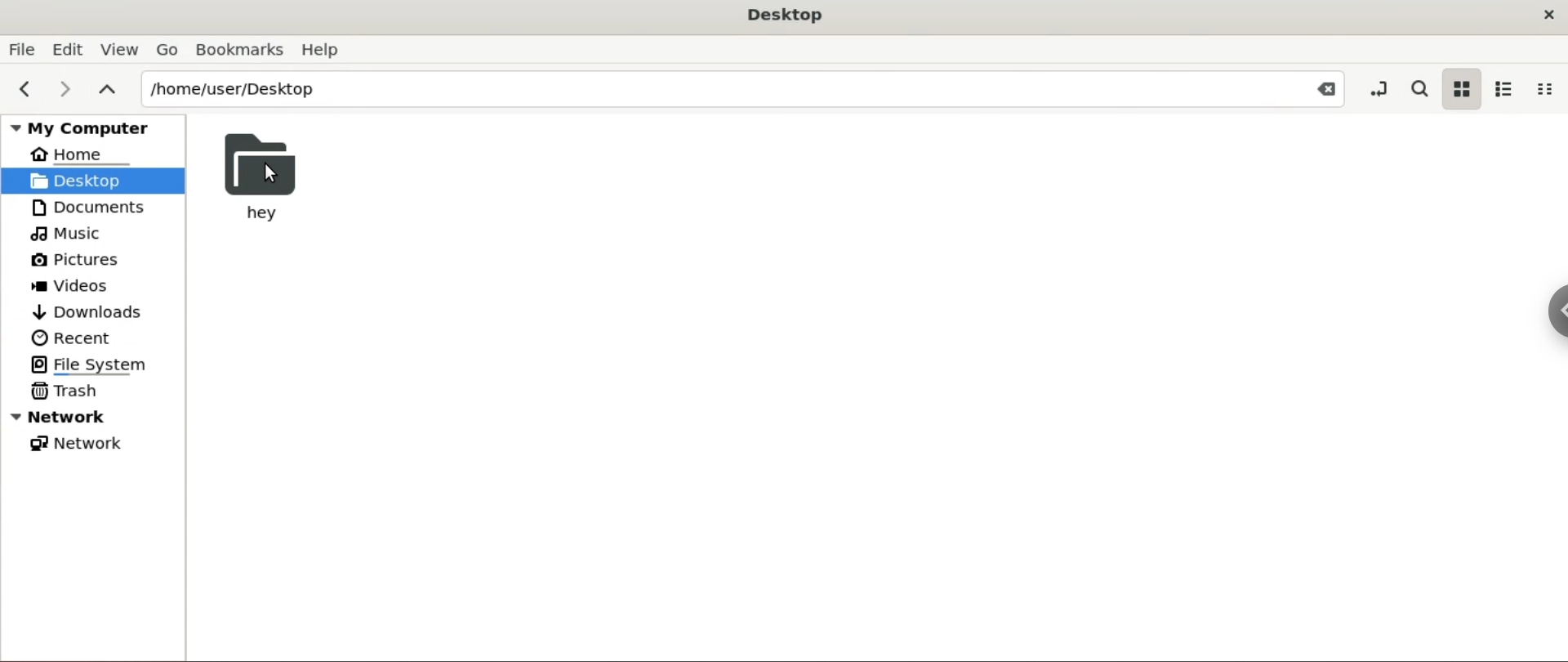  What do you see at coordinates (85, 261) in the screenshot?
I see `Picture` at bounding box center [85, 261].